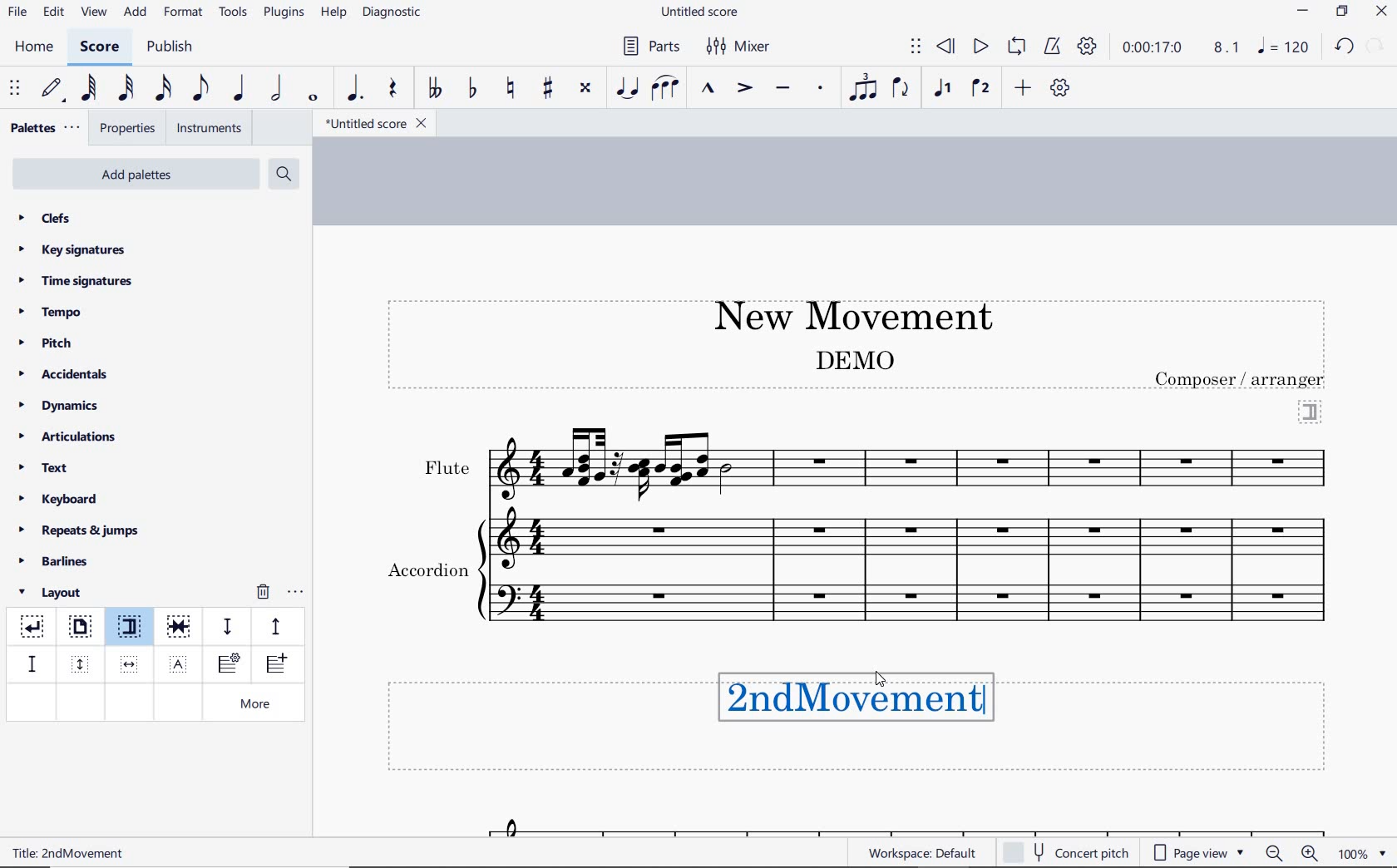  Describe the element at coordinates (234, 12) in the screenshot. I see `tools` at that location.